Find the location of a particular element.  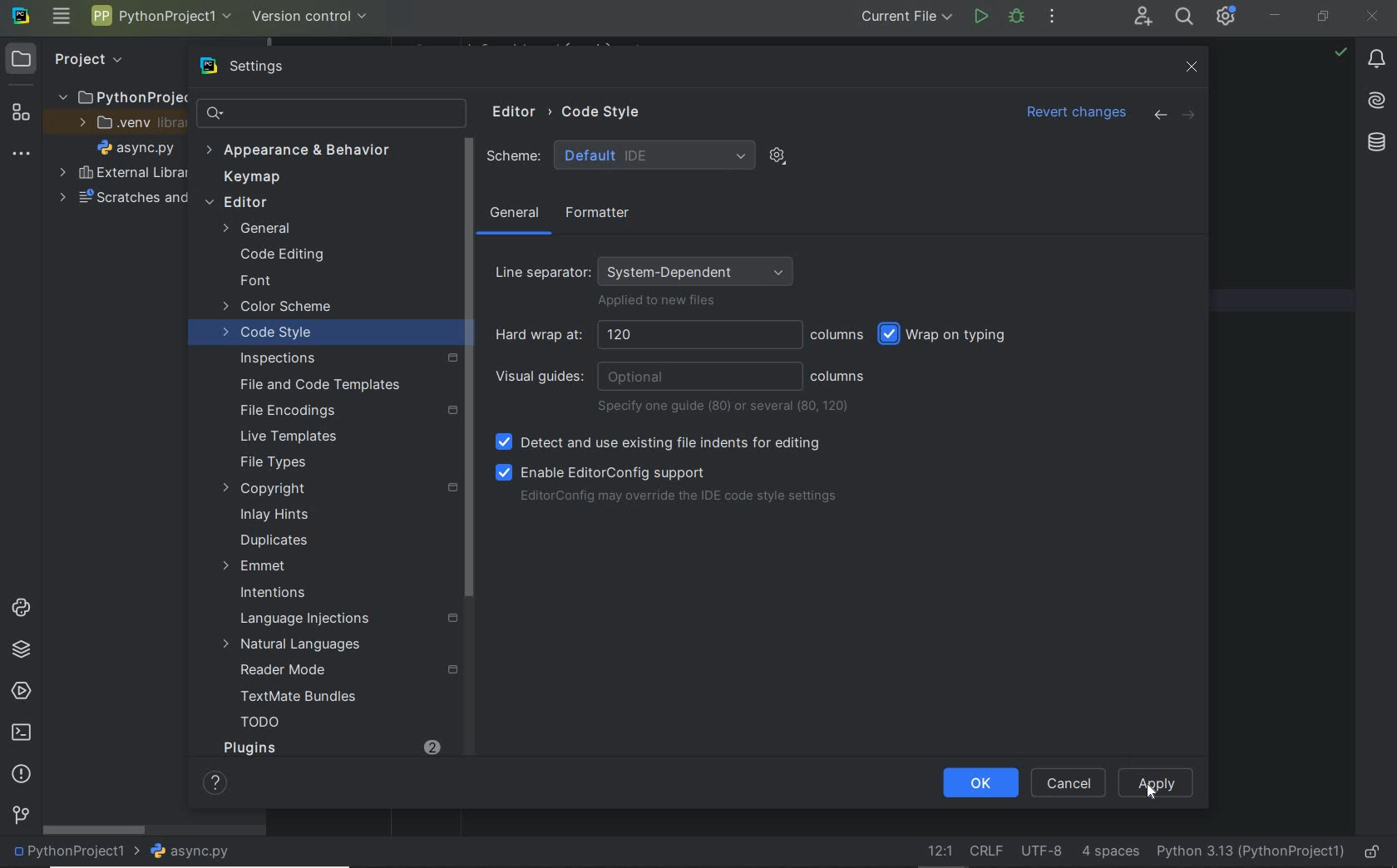

show scheme actions is located at coordinates (777, 155).